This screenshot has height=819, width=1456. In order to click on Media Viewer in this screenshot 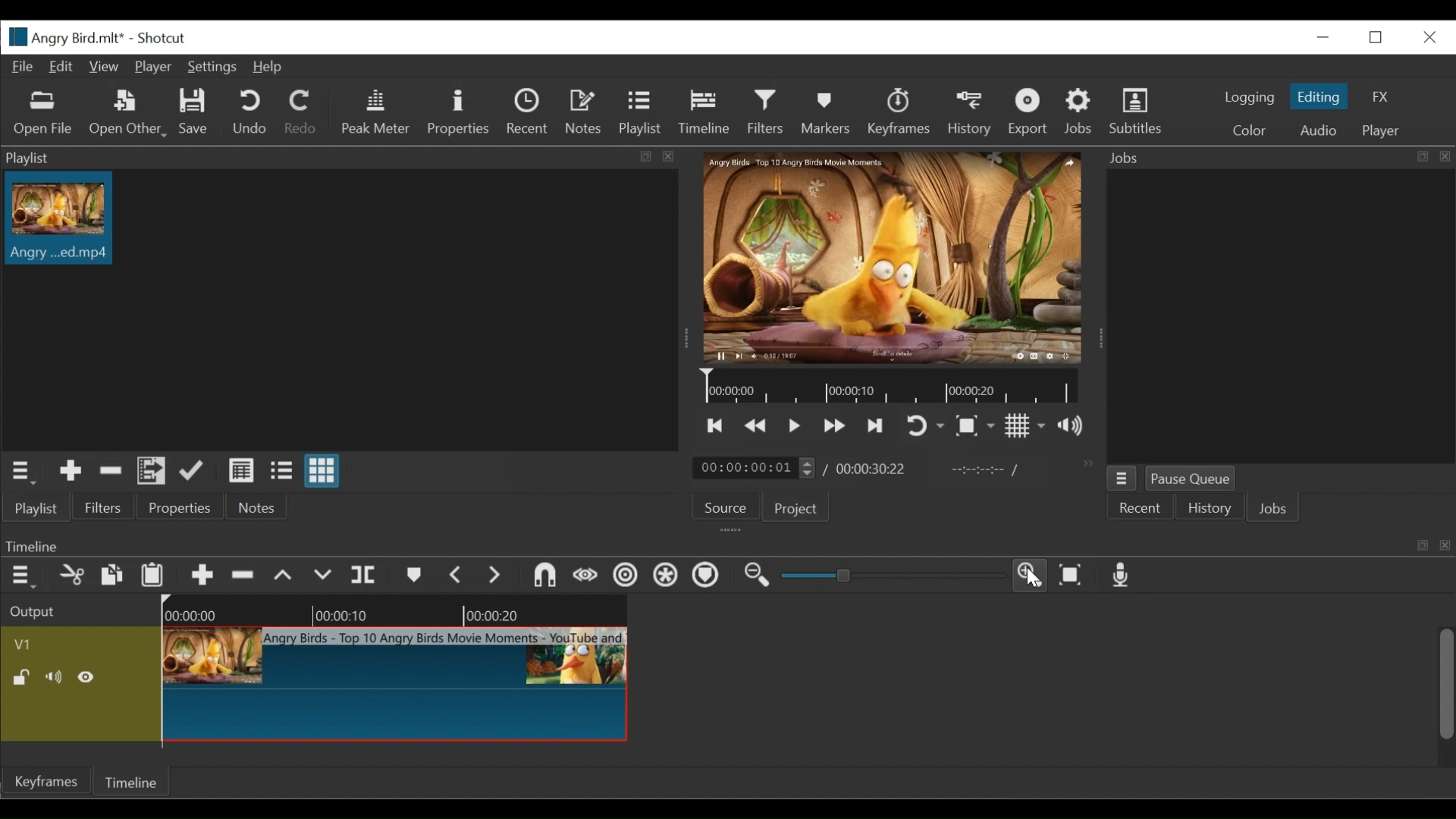, I will do `click(890, 257)`.